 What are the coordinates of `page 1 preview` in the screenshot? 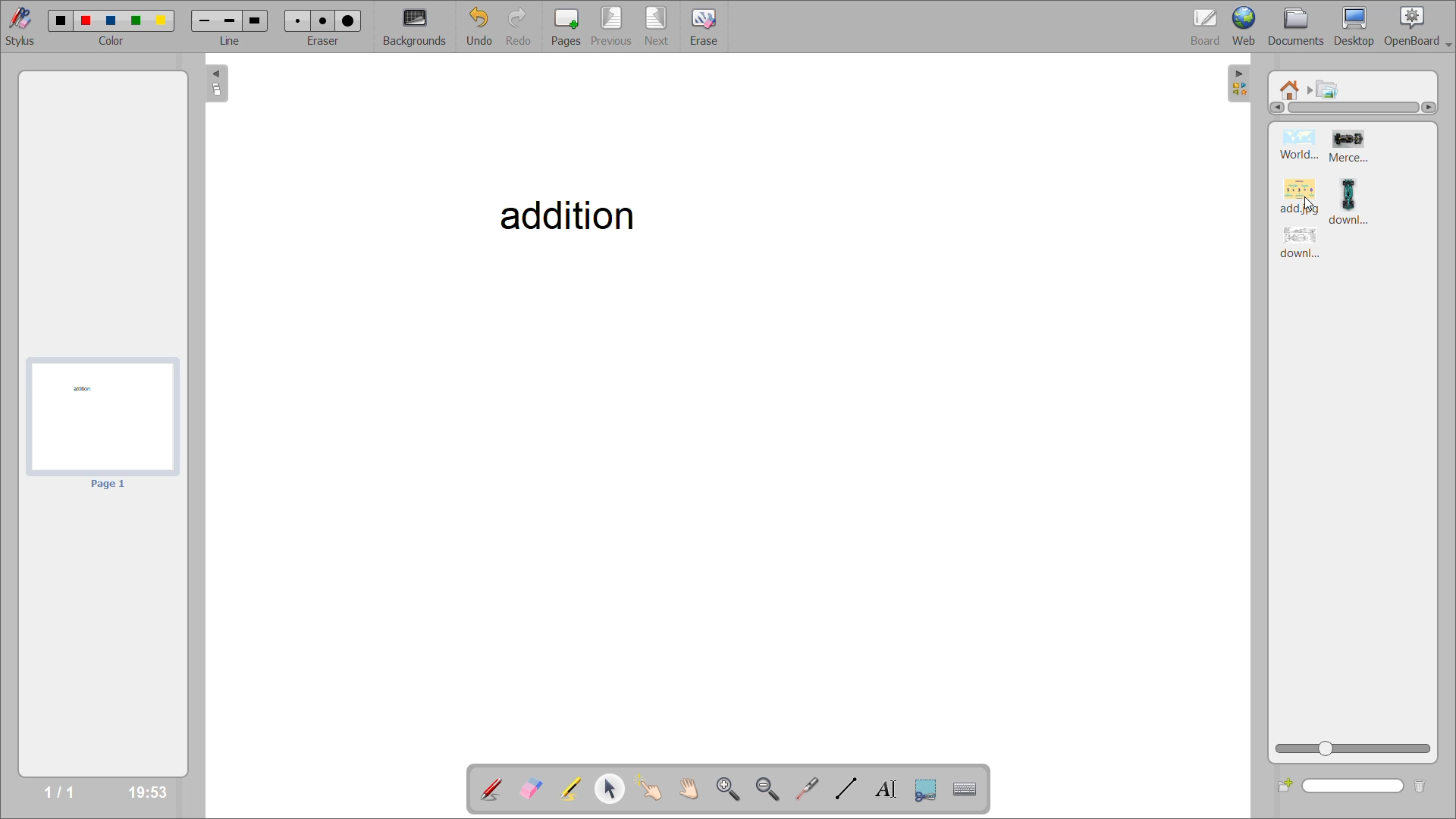 It's located at (103, 416).